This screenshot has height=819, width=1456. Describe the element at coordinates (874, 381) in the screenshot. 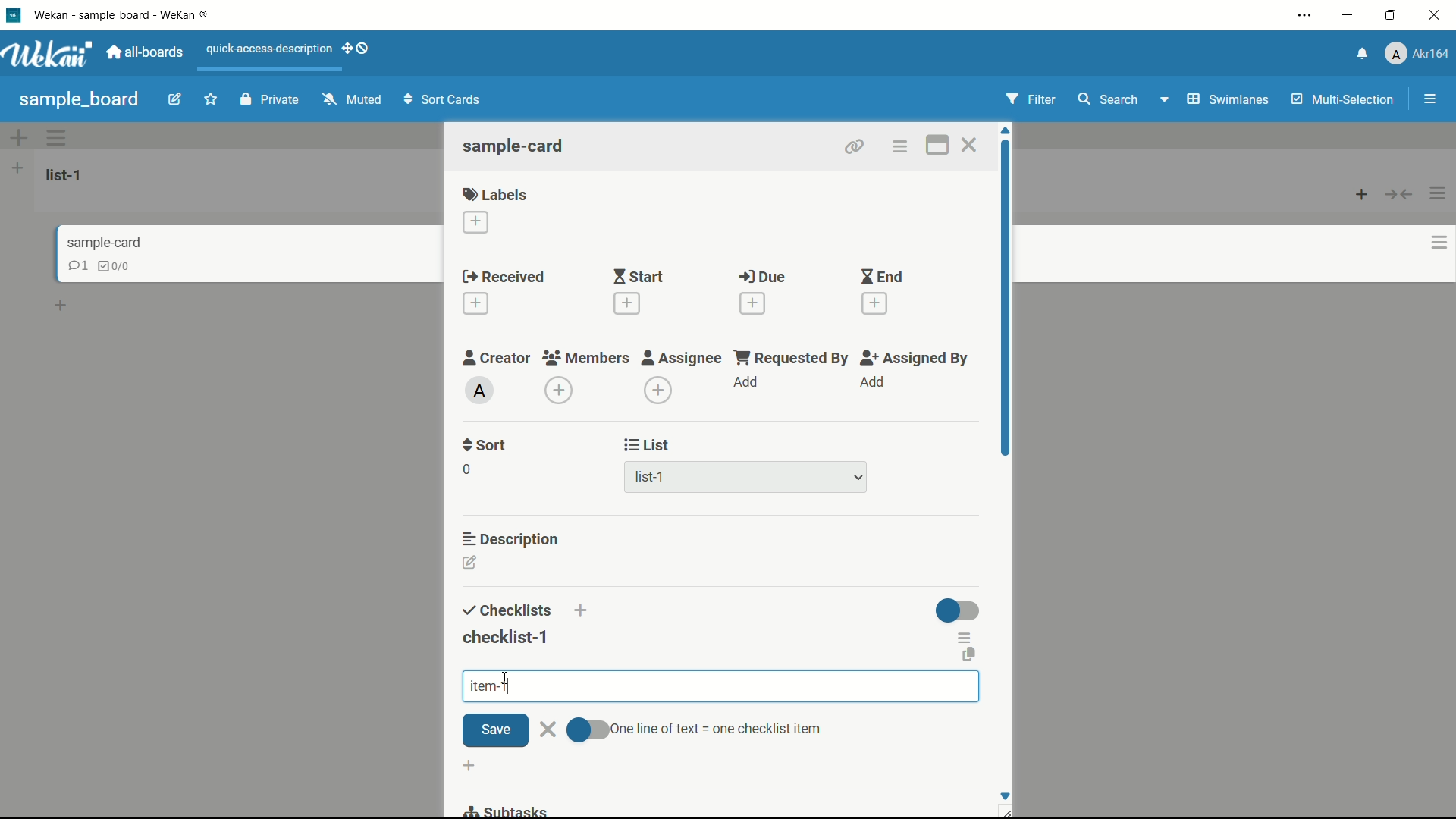

I see `add` at that location.